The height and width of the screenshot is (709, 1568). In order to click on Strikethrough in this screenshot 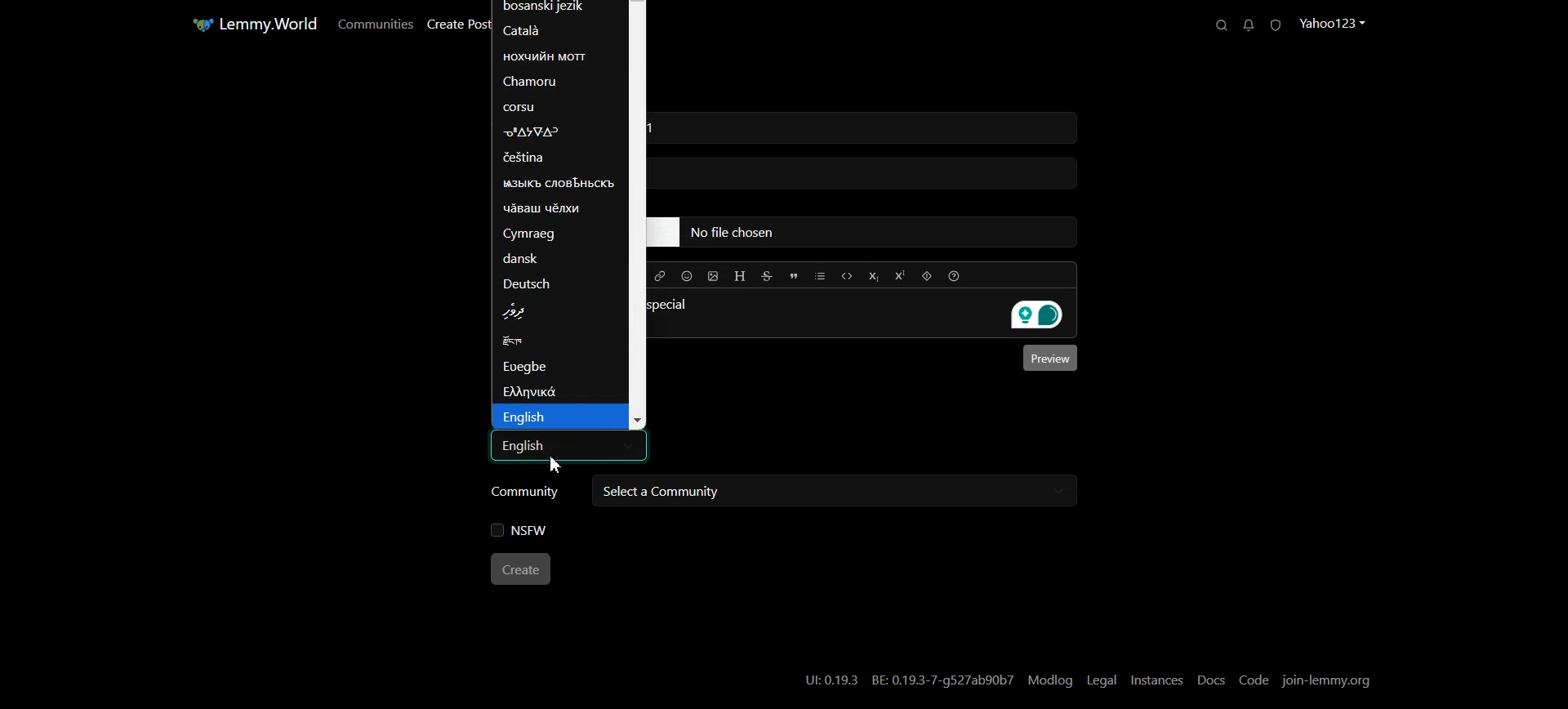, I will do `click(768, 276)`.